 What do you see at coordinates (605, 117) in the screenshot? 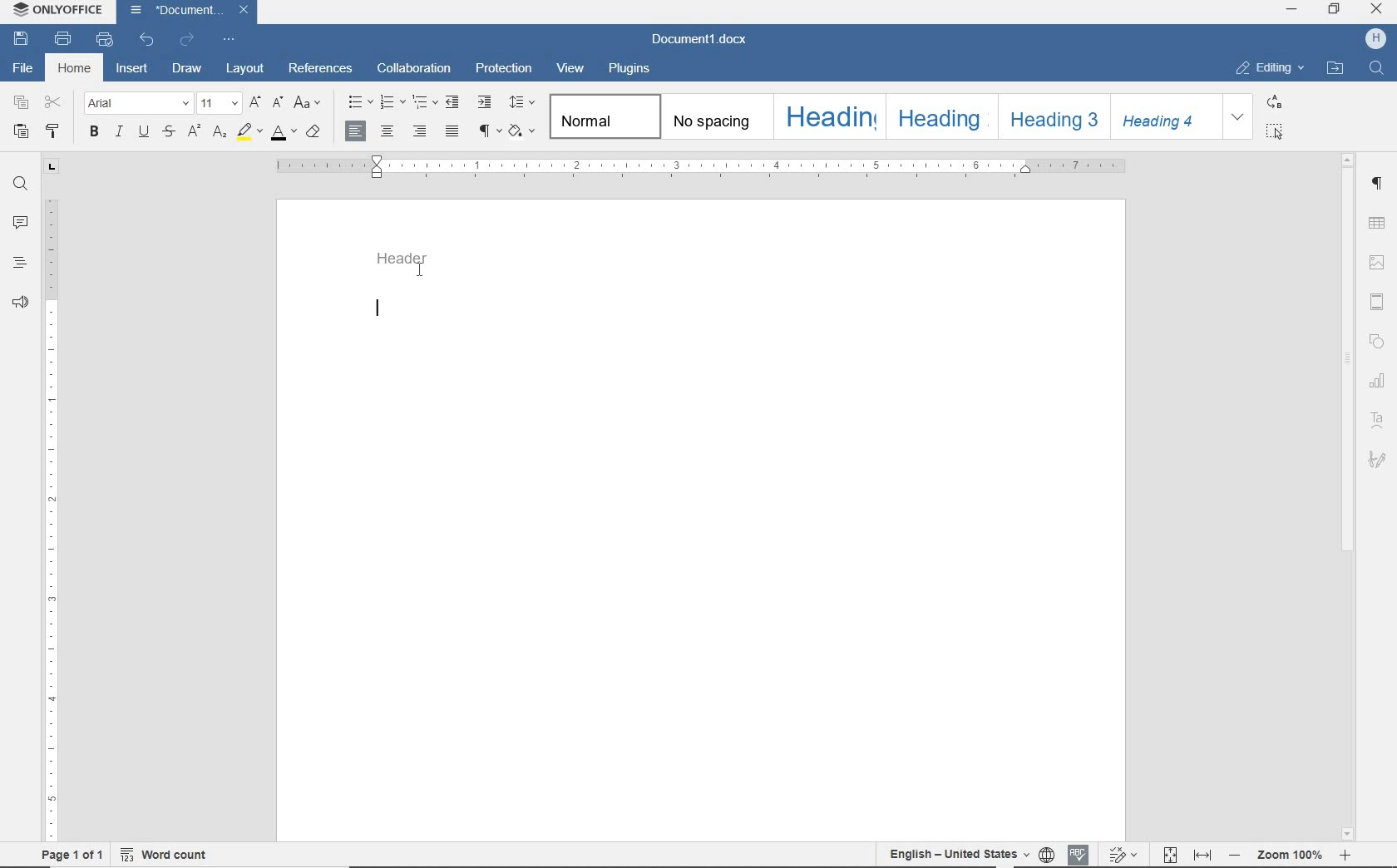
I see `Normal` at bounding box center [605, 117].